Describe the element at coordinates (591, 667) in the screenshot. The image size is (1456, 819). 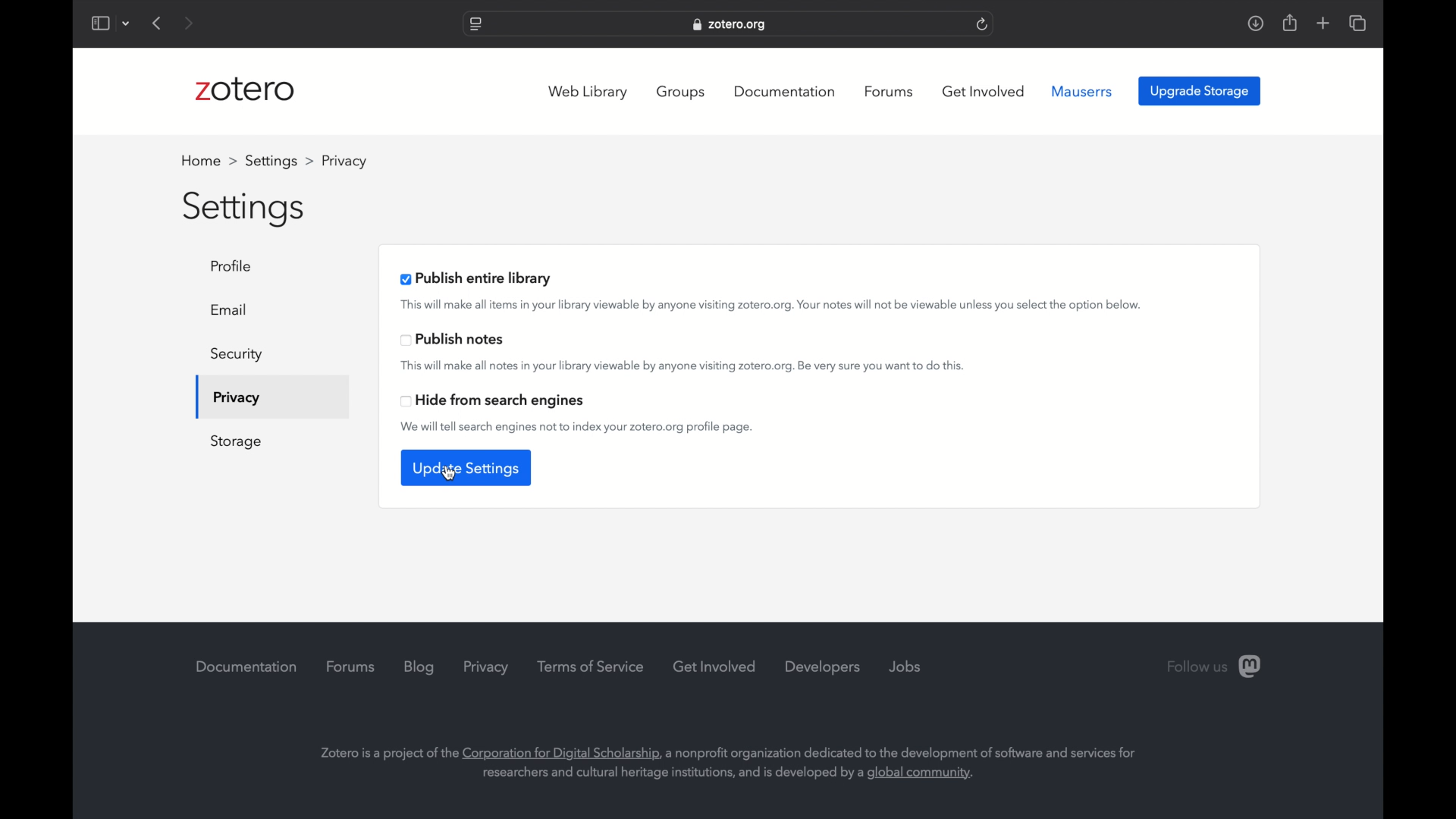
I see `terms of service` at that location.